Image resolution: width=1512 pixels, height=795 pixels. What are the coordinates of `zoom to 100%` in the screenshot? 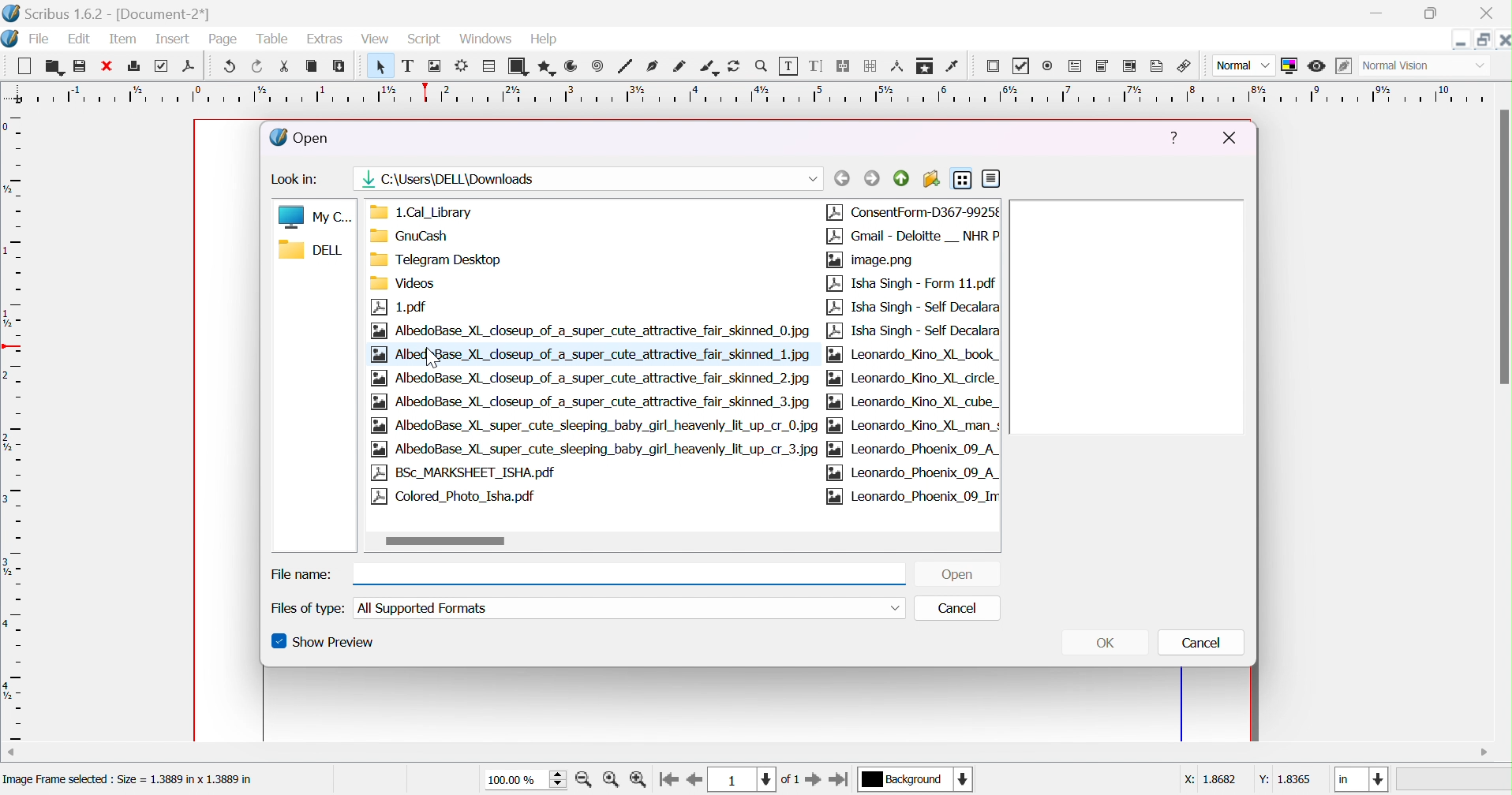 It's located at (612, 780).